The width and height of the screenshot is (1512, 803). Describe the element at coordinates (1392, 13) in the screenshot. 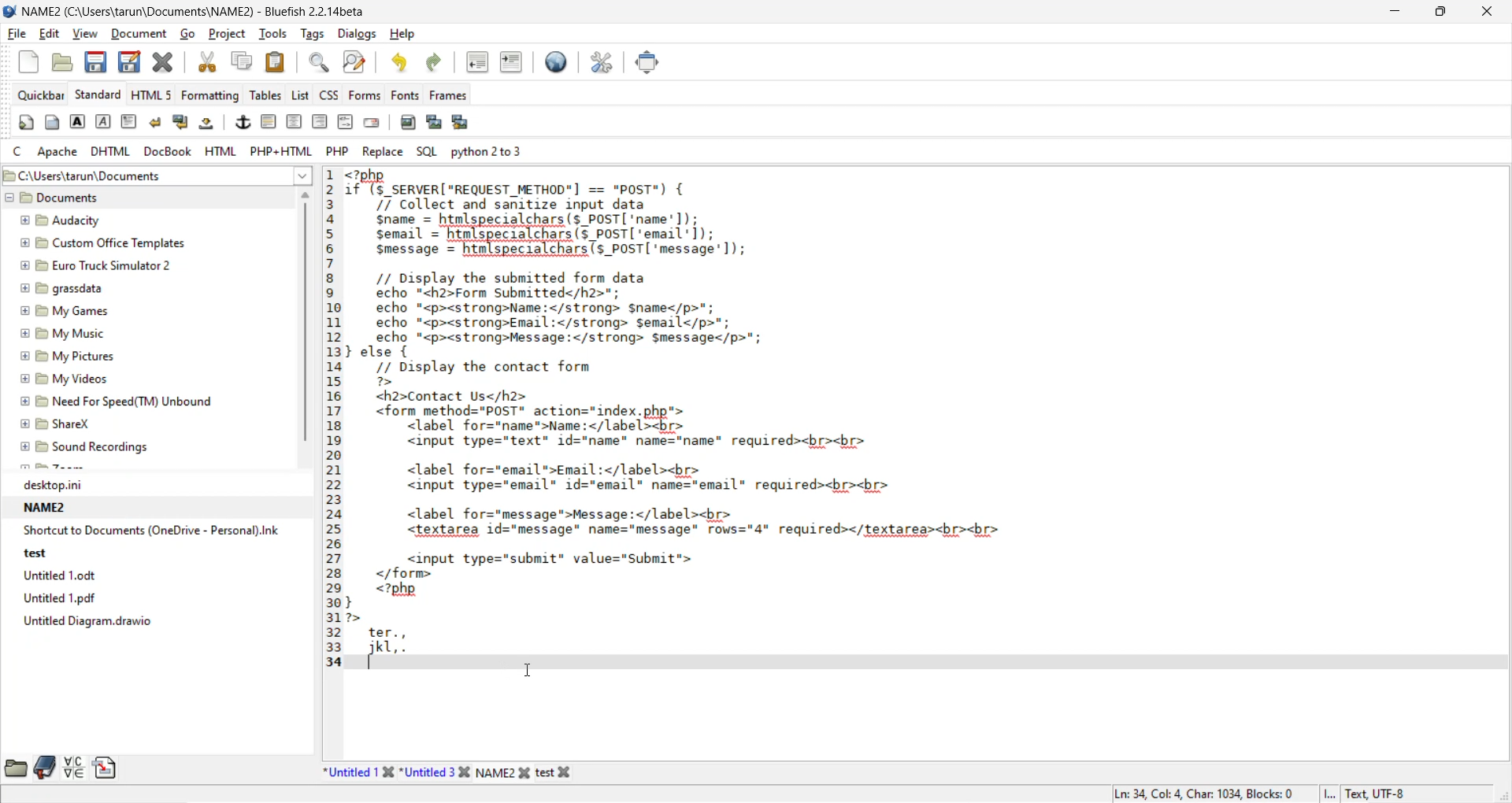

I see `minimize` at that location.